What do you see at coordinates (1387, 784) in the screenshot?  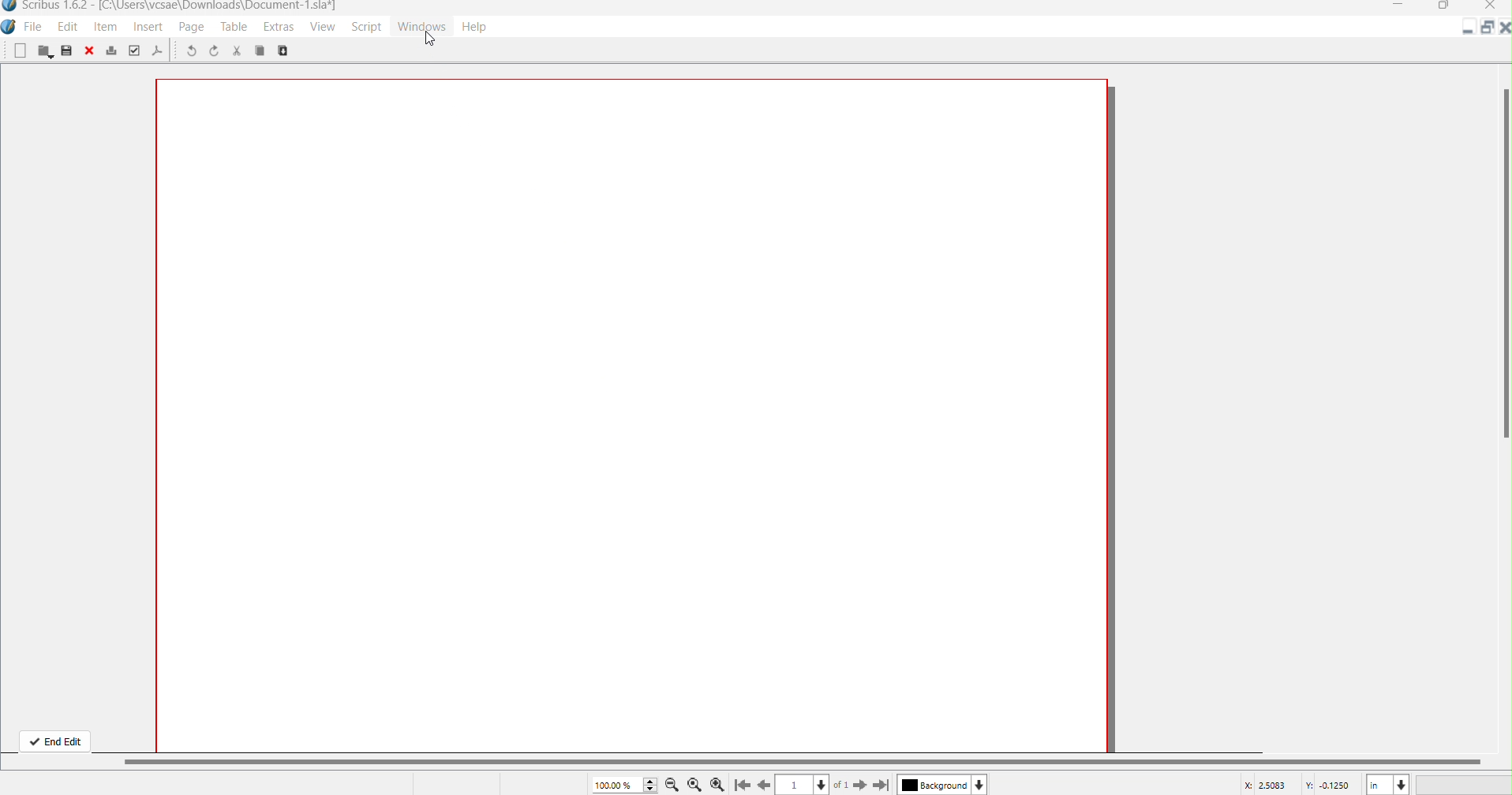 I see `select inches` at bounding box center [1387, 784].